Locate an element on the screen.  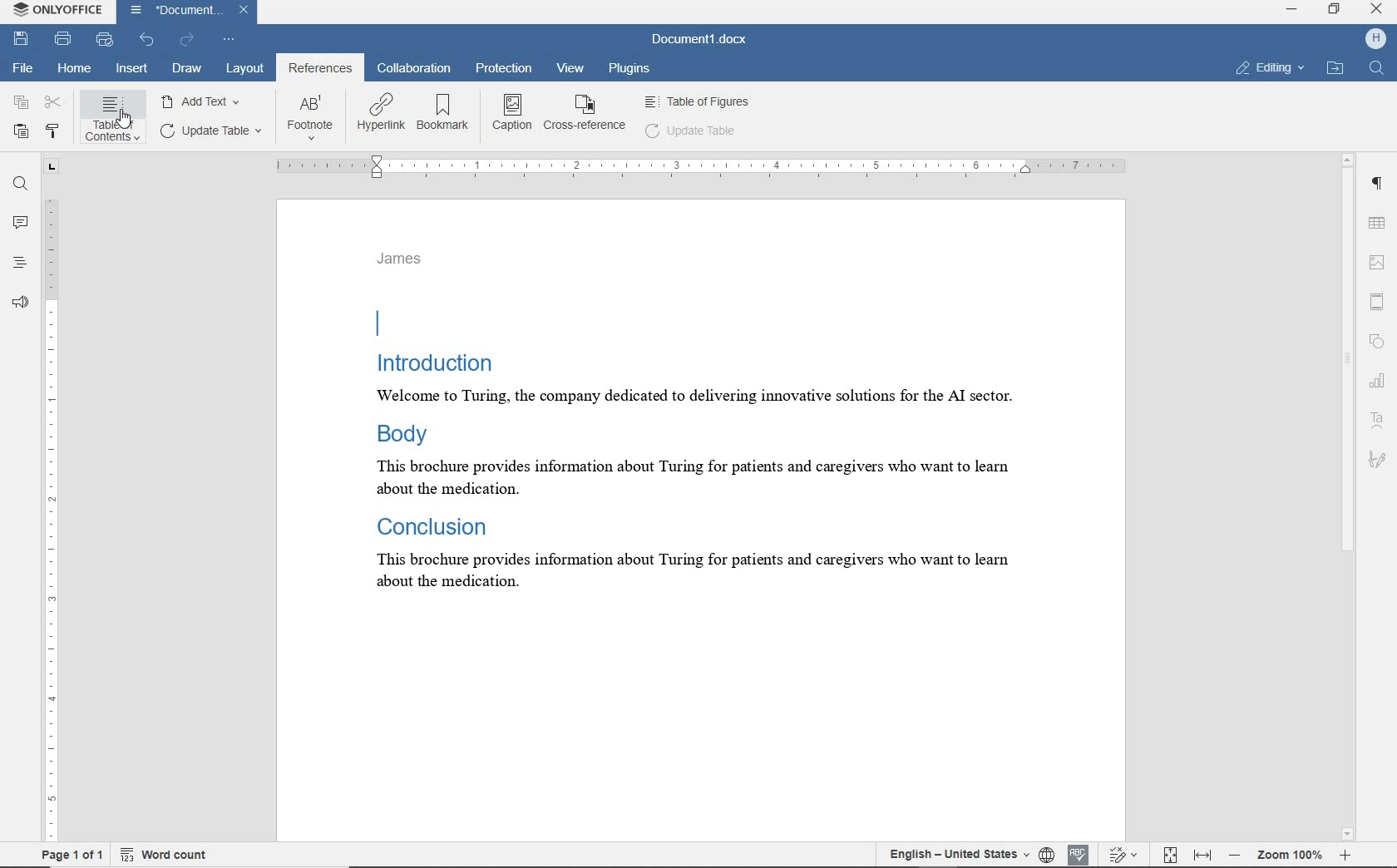
document name is located at coordinates (696, 37).